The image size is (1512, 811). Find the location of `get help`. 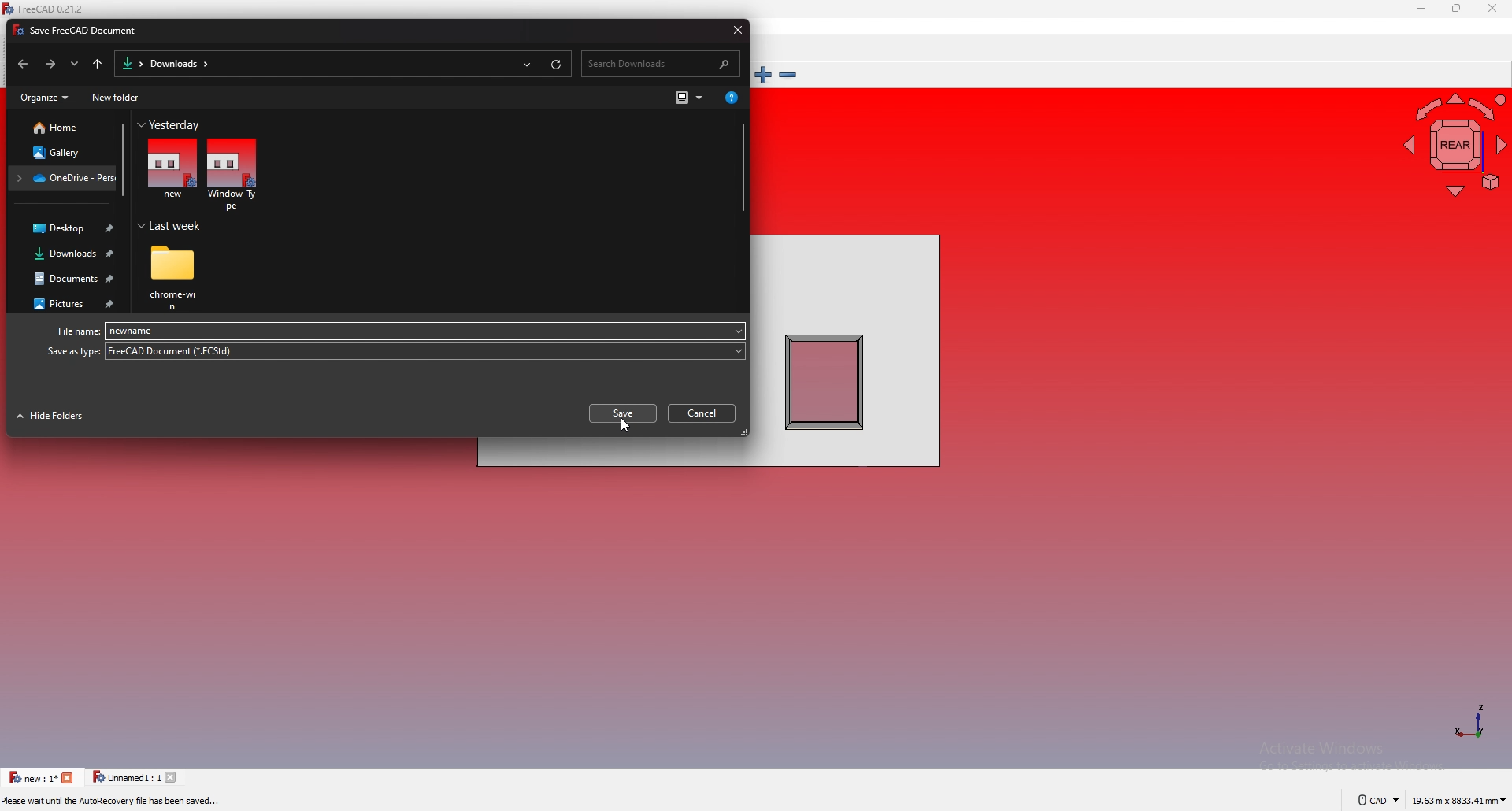

get help is located at coordinates (731, 97).